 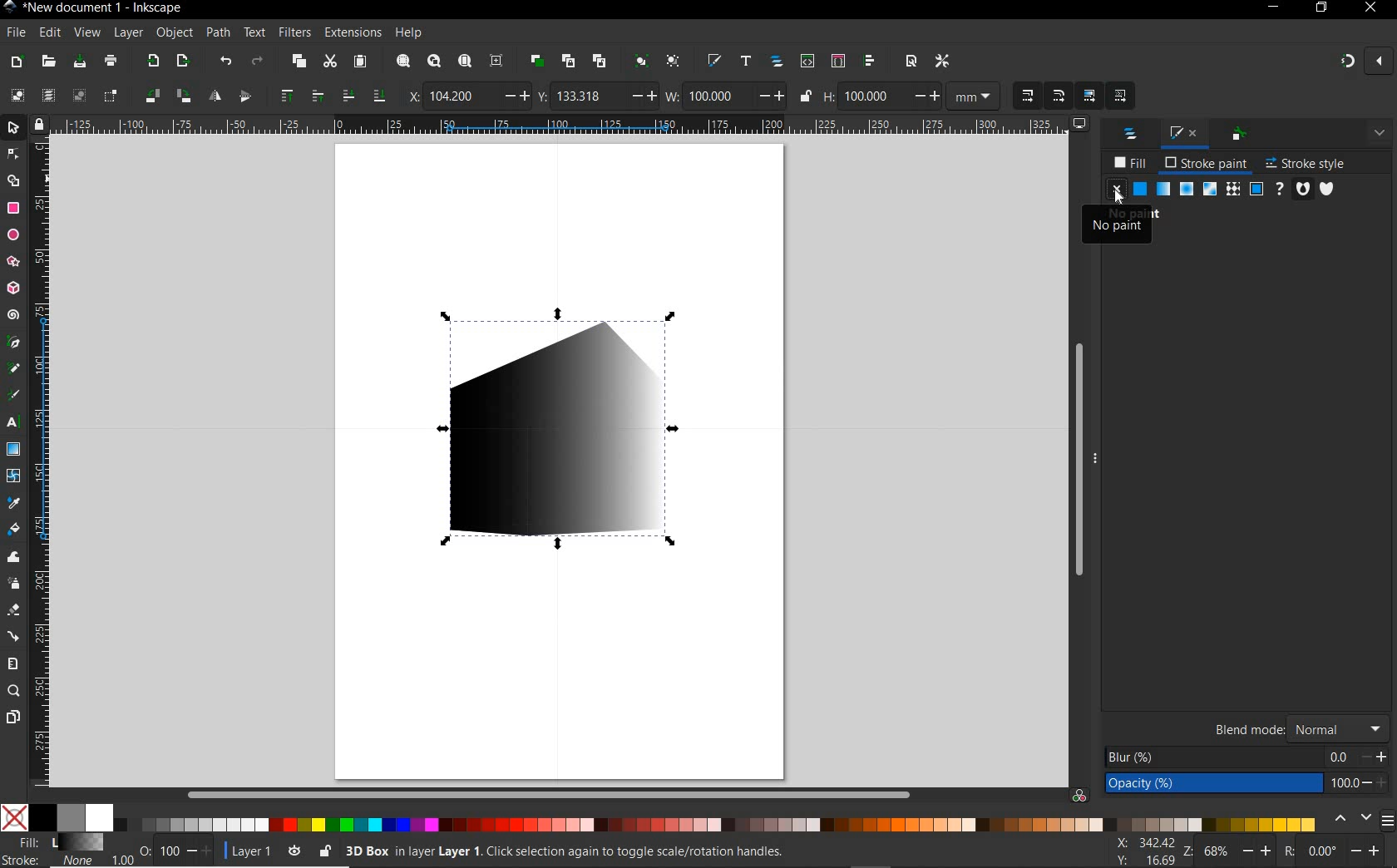 I want to click on OBJECT FLIP, so click(x=217, y=95).